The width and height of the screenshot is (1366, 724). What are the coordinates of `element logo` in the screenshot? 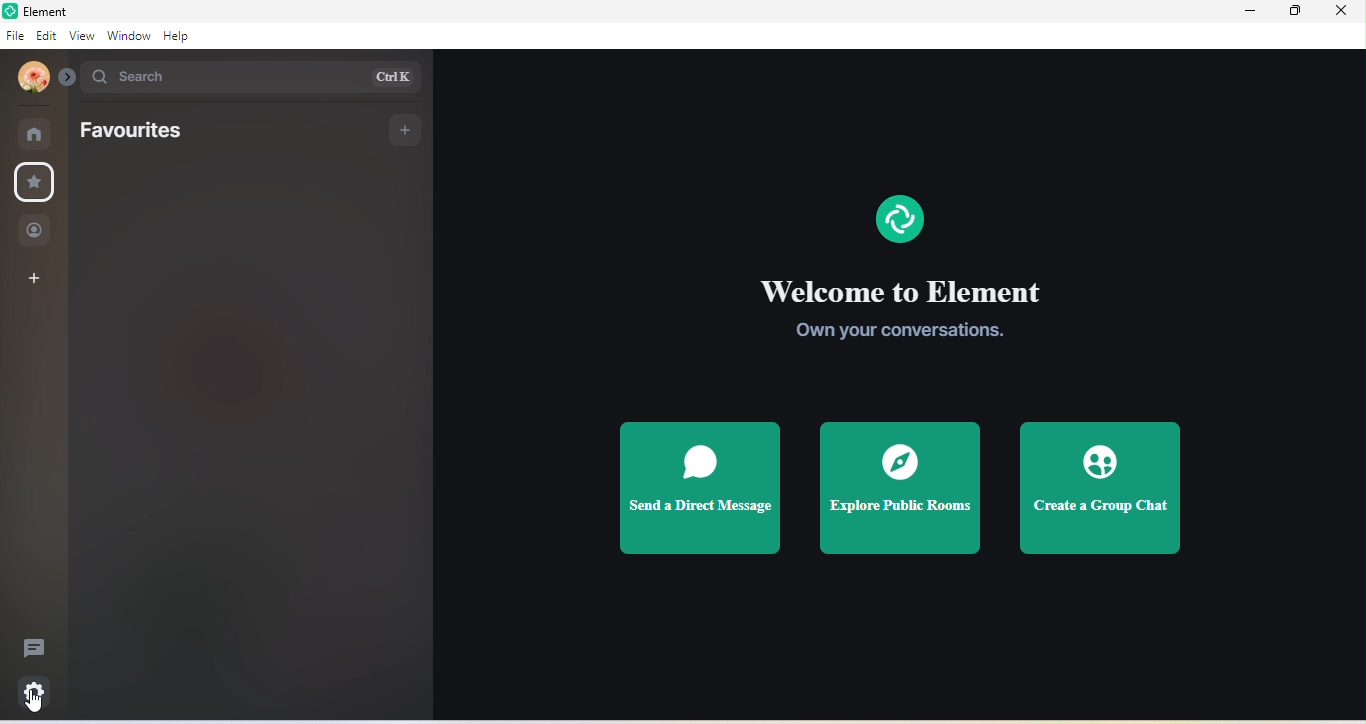 It's located at (900, 217).